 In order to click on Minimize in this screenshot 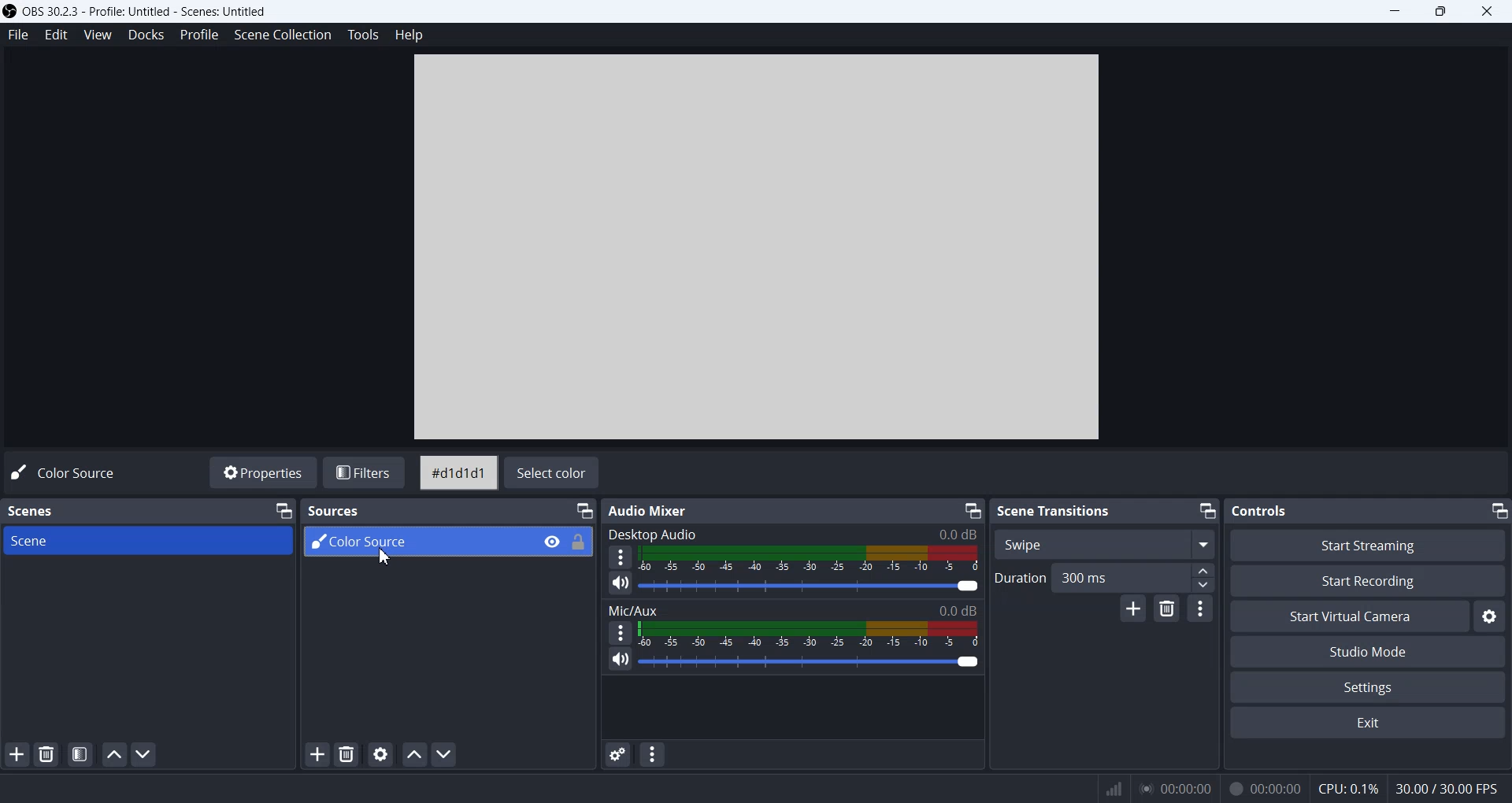, I will do `click(283, 509)`.